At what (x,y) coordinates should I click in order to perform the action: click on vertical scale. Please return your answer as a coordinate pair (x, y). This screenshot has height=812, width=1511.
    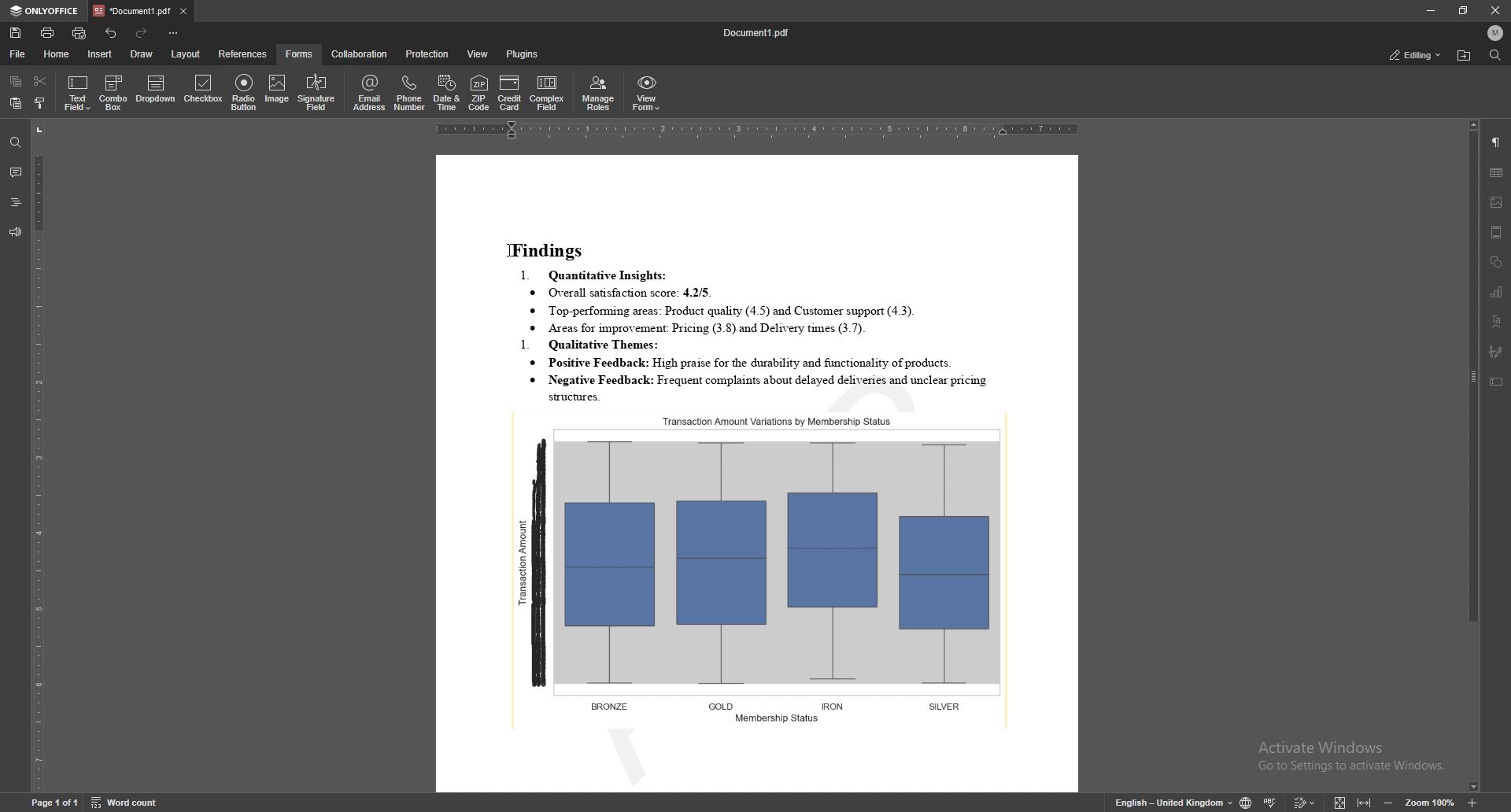
    Looking at the image, I should click on (39, 456).